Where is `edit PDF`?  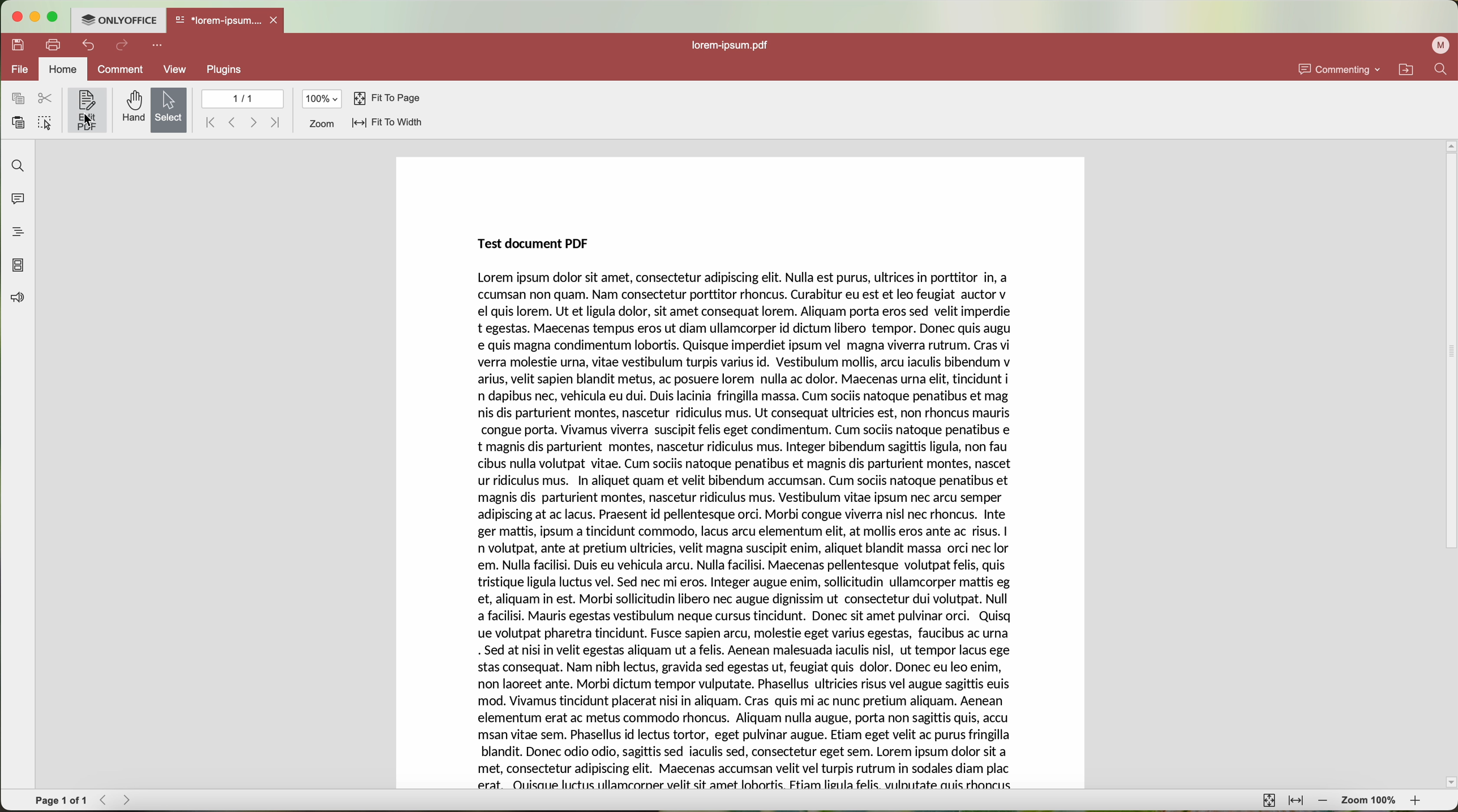 edit PDF is located at coordinates (85, 110).